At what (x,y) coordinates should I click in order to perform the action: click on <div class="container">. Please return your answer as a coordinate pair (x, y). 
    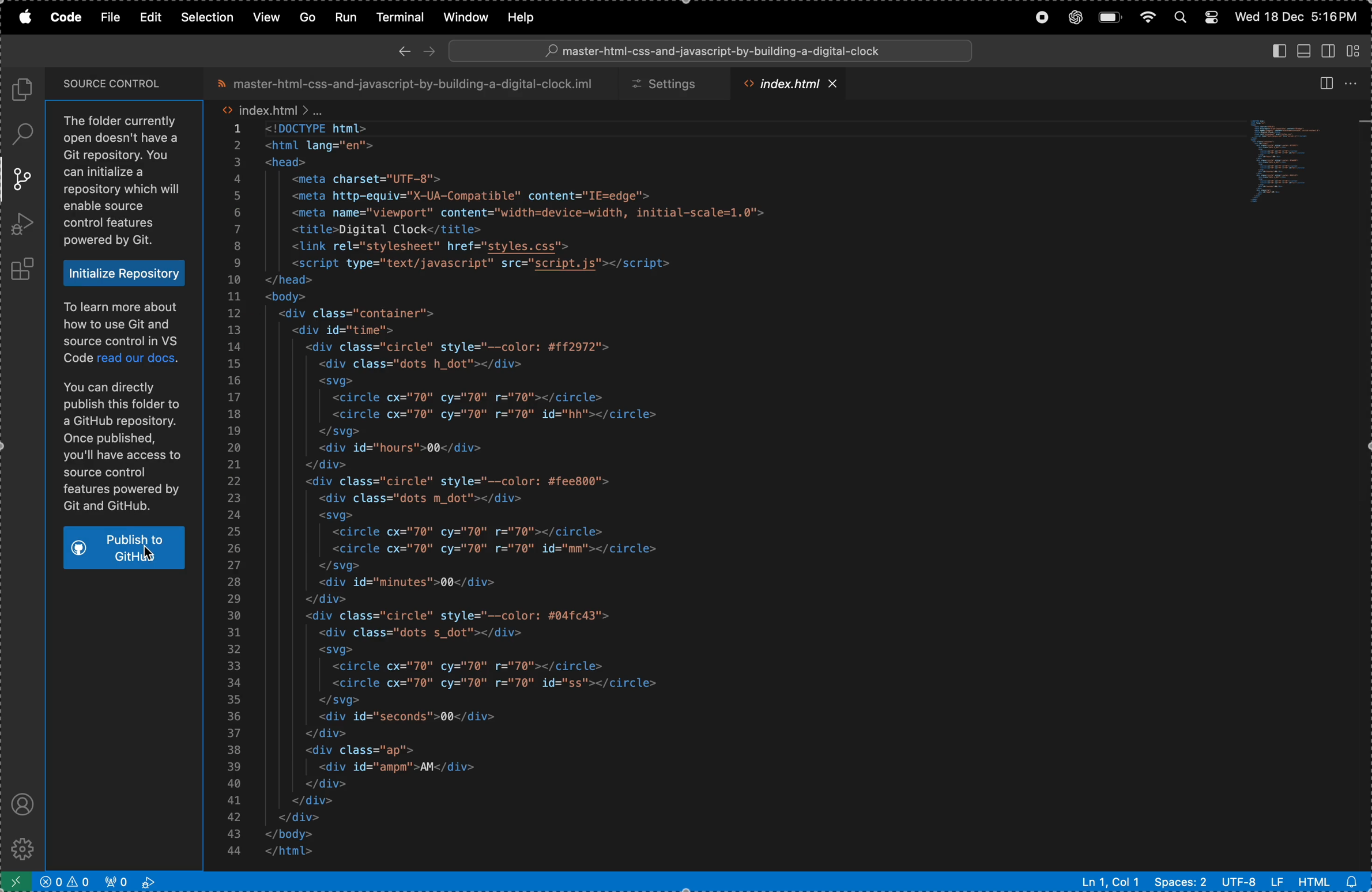
    Looking at the image, I should click on (356, 313).